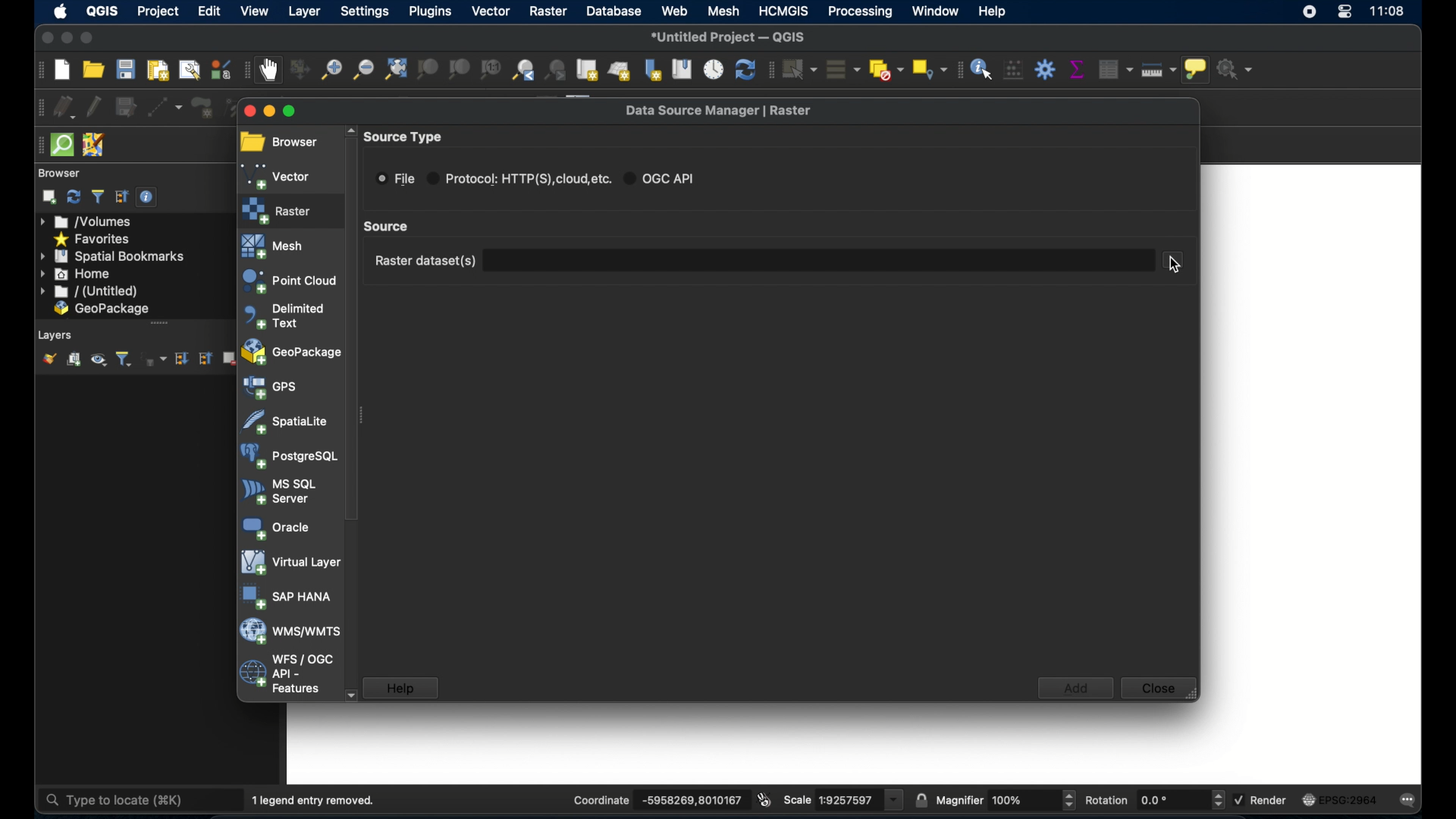  Describe the element at coordinates (120, 196) in the screenshot. I see `collapse all` at that location.